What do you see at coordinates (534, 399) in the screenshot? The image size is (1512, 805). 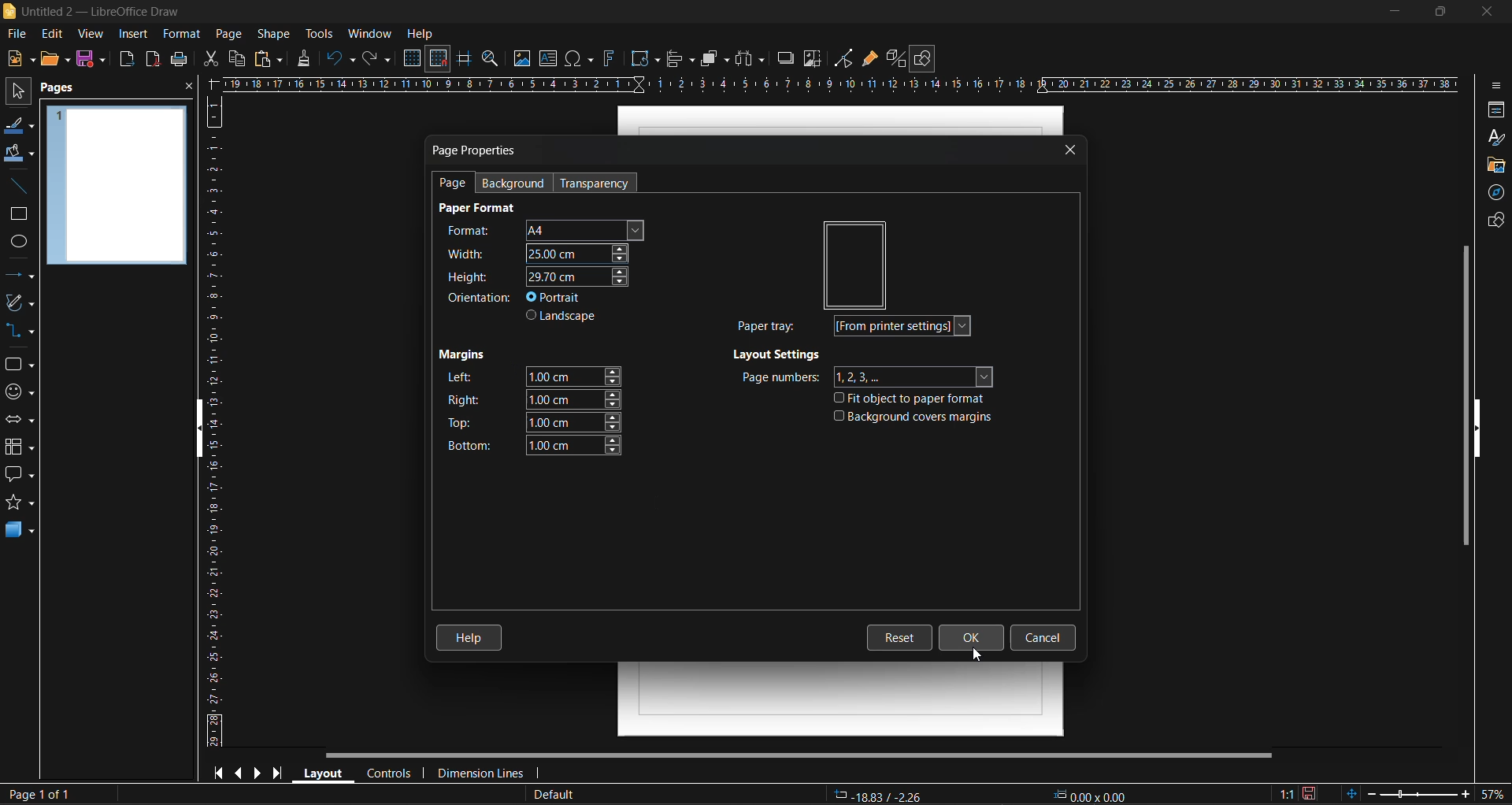 I see `right` at bounding box center [534, 399].